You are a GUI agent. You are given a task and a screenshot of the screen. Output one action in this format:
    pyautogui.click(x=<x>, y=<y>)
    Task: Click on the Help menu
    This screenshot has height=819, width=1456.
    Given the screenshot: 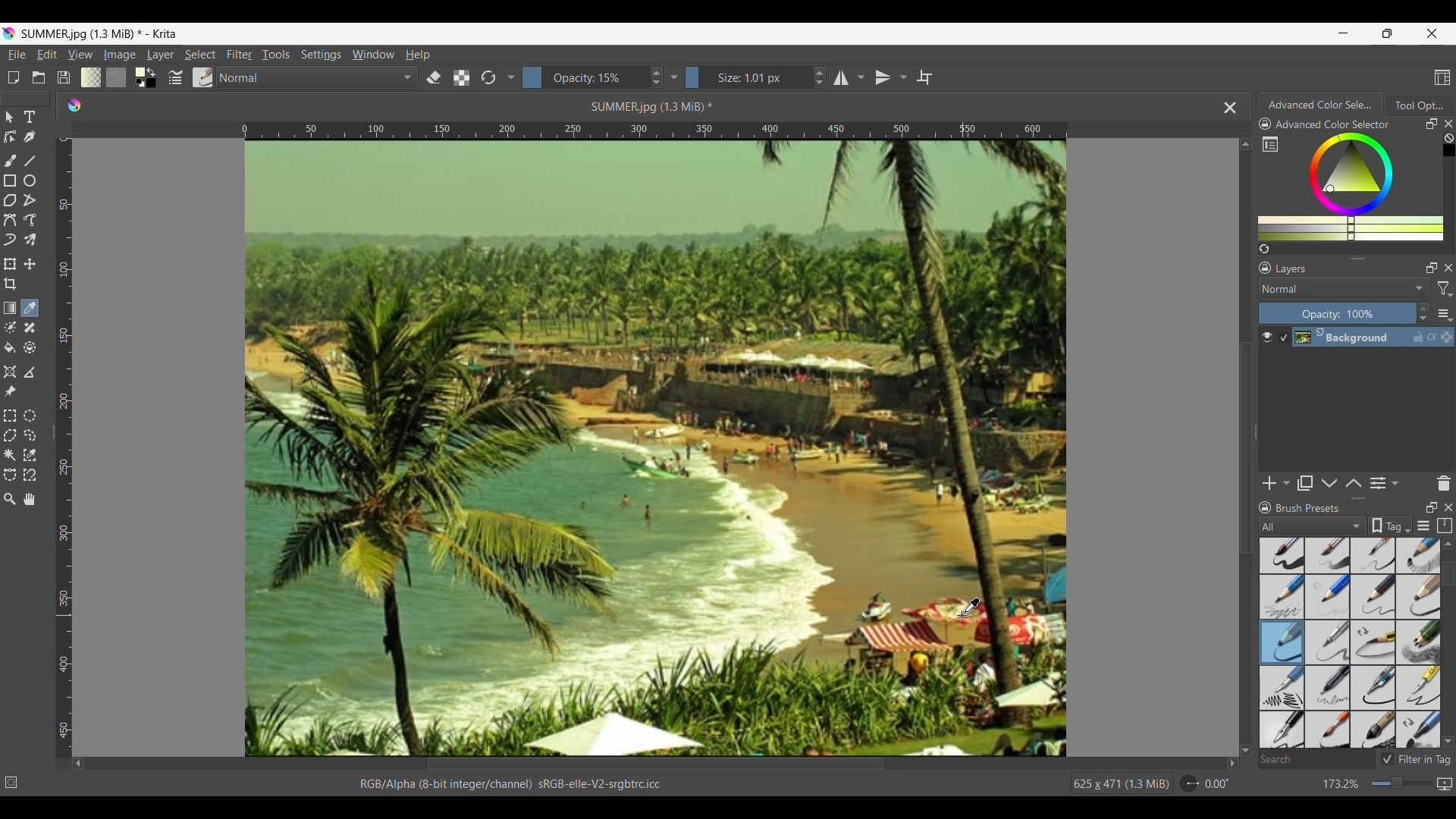 What is the action you would take?
    pyautogui.click(x=418, y=54)
    